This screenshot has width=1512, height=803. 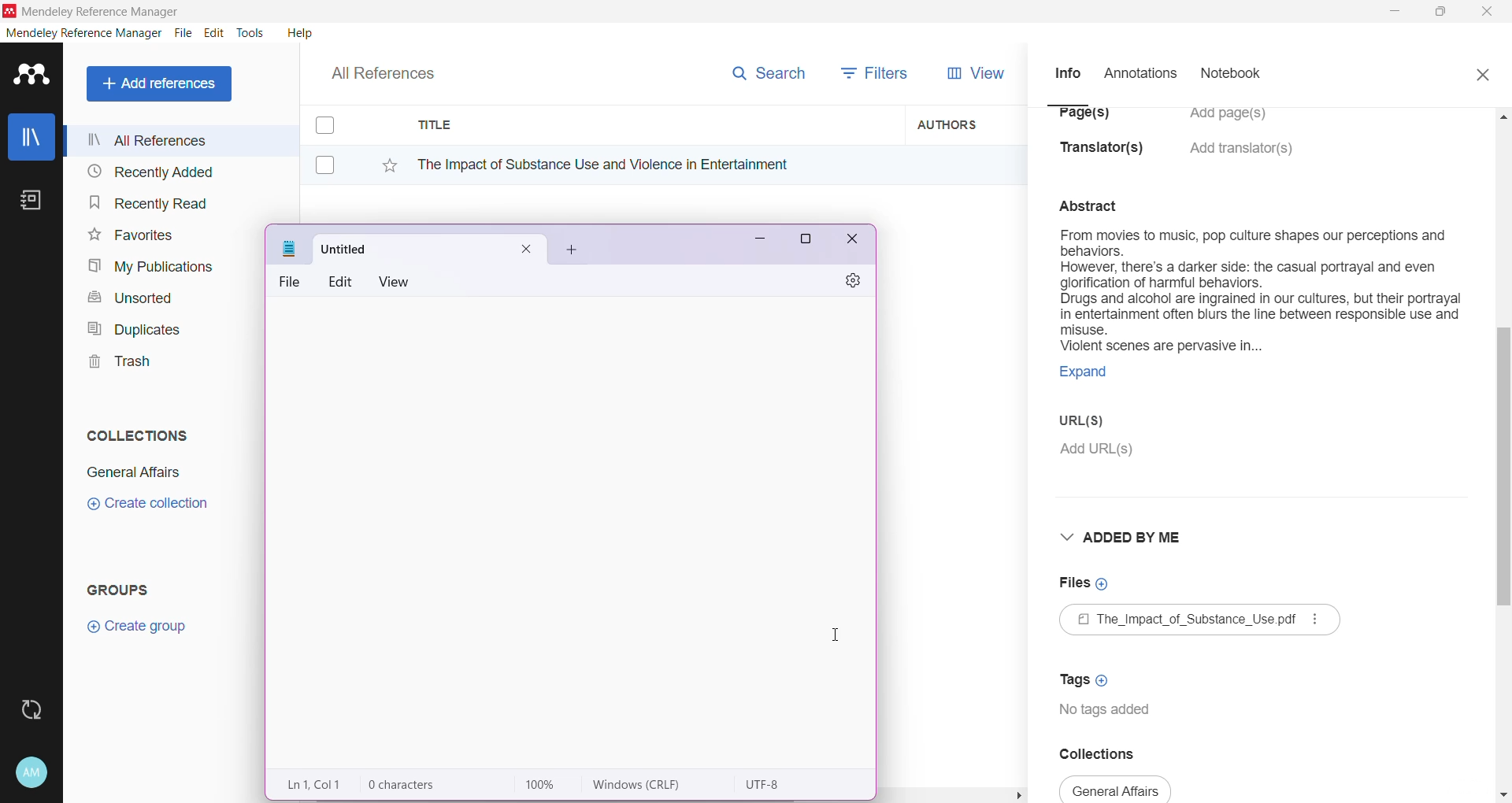 What do you see at coordinates (768, 70) in the screenshot?
I see `Search` at bounding box center [768, 70].